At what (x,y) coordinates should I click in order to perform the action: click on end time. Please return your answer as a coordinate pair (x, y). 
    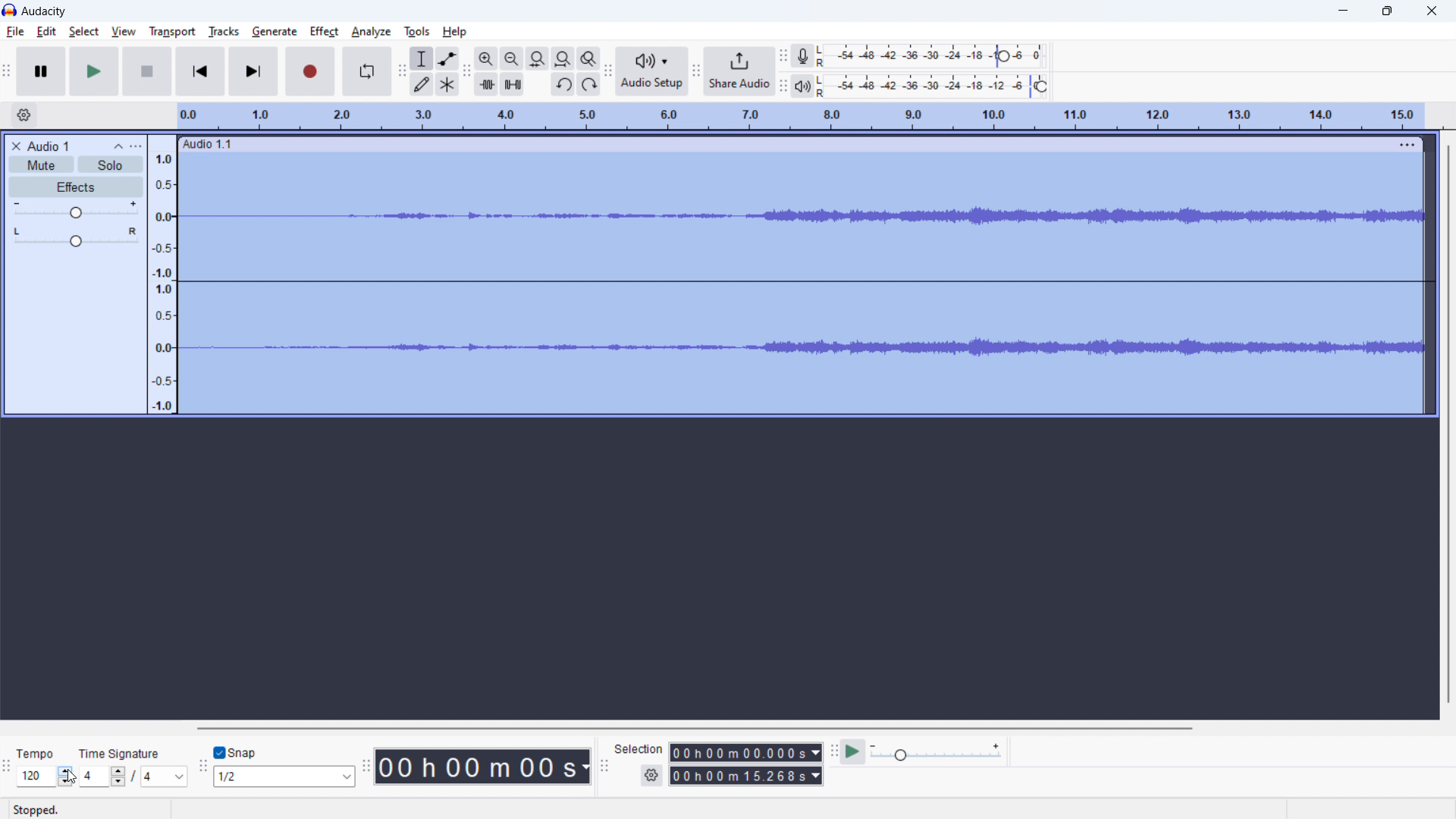
    Looking at the image, I should click on (745, 776).